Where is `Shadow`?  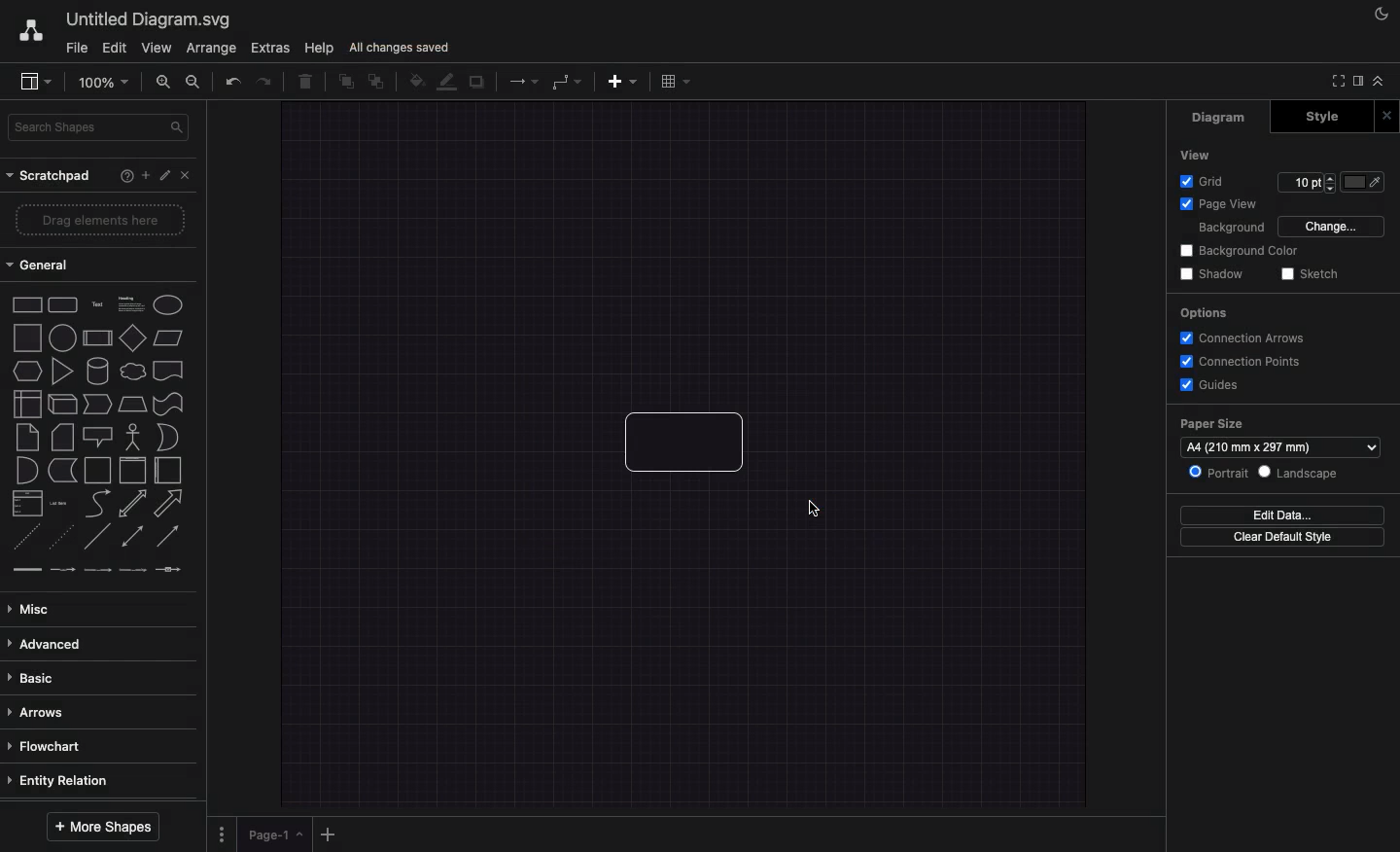 Shadow is located at coordinates (477, 83).